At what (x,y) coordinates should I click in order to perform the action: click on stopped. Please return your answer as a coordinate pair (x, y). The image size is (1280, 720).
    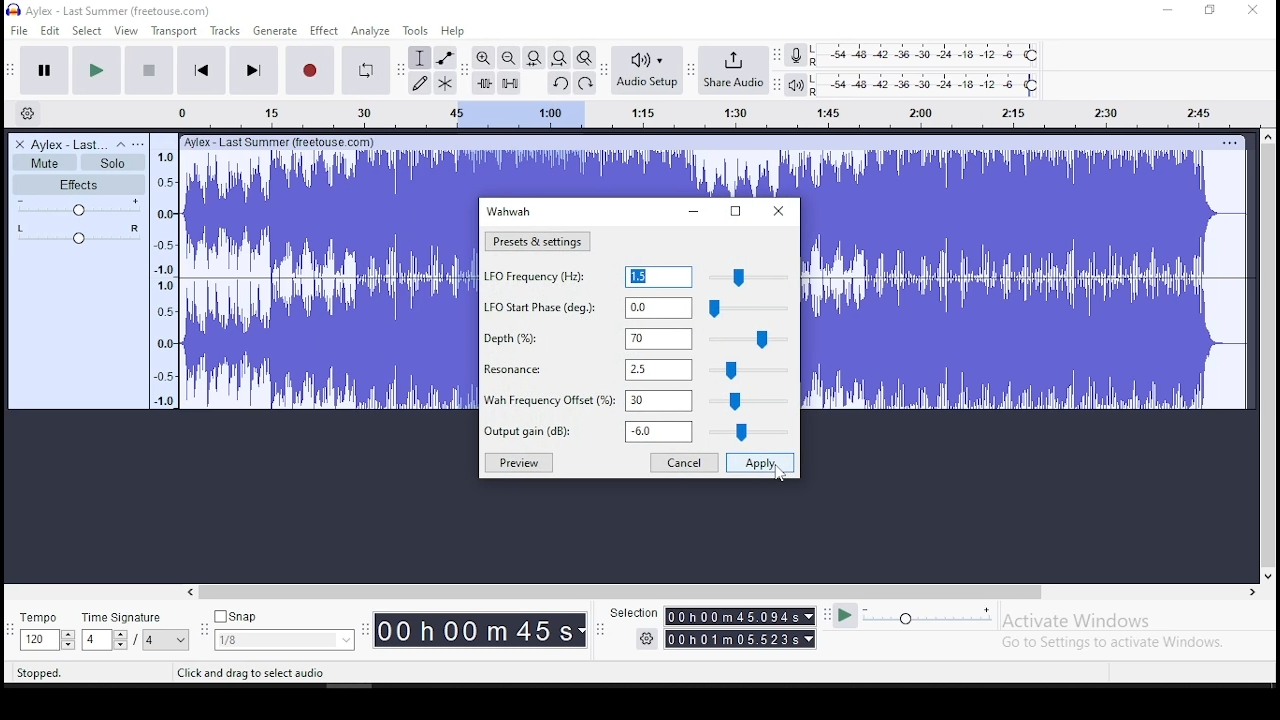
    Looking at the image, I should click on (41, 674).